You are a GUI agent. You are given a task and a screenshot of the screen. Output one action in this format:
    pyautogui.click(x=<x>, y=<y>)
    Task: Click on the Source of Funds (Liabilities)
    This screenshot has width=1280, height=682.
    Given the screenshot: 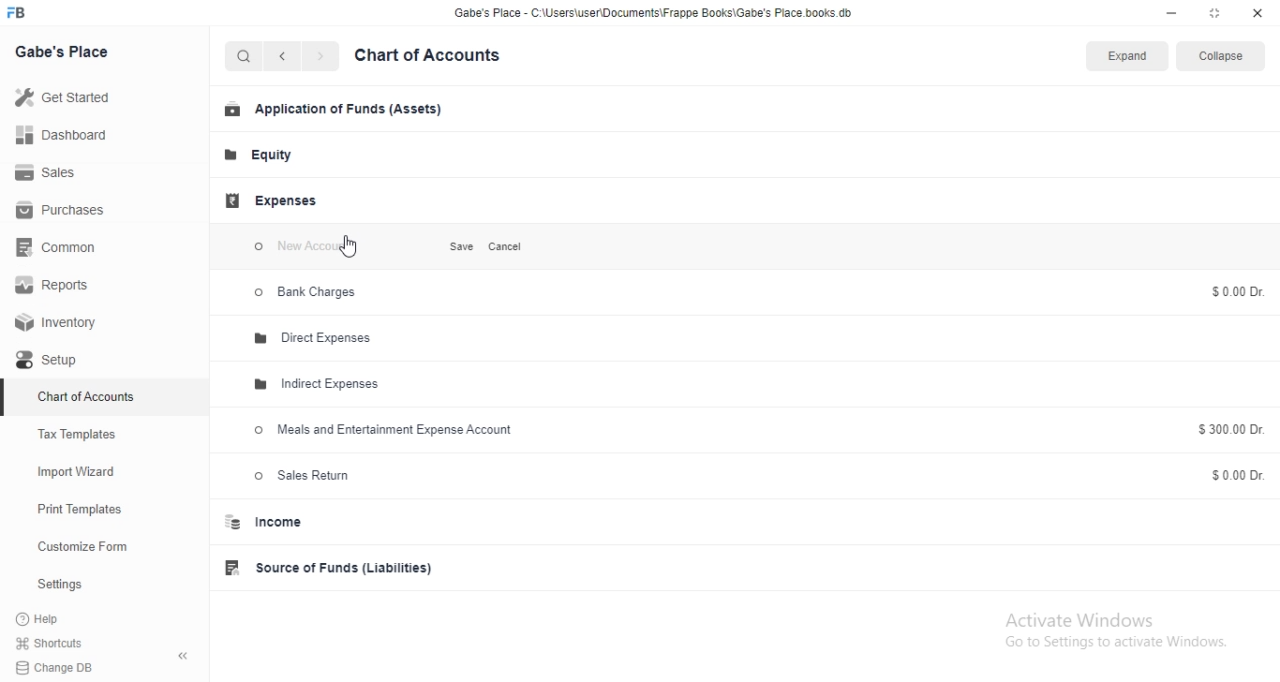 What is the action you would take?
    pyautogui.click(x=334, y=568)
    